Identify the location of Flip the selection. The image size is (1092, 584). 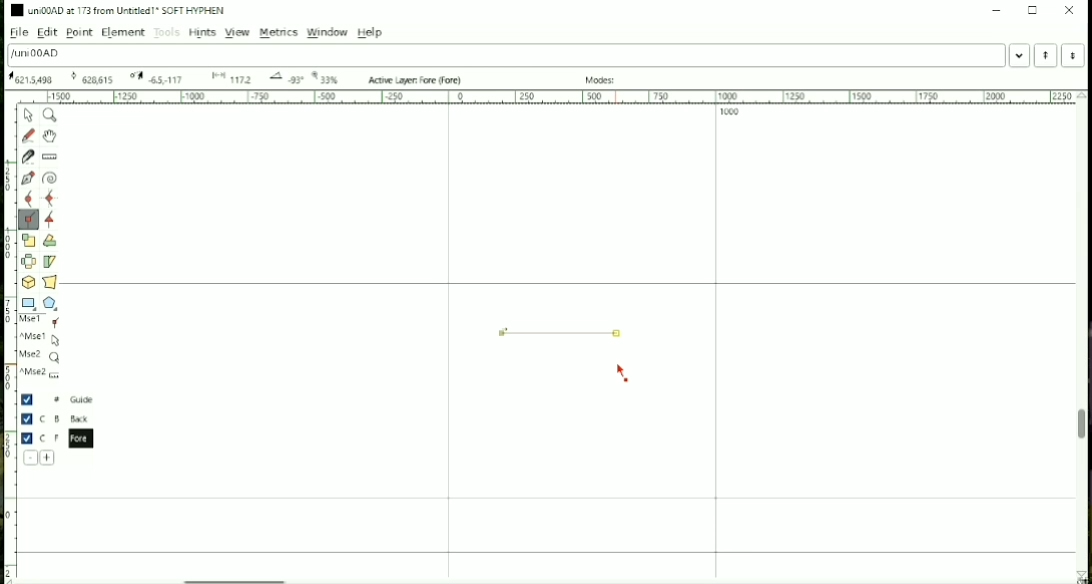
(29, 261).